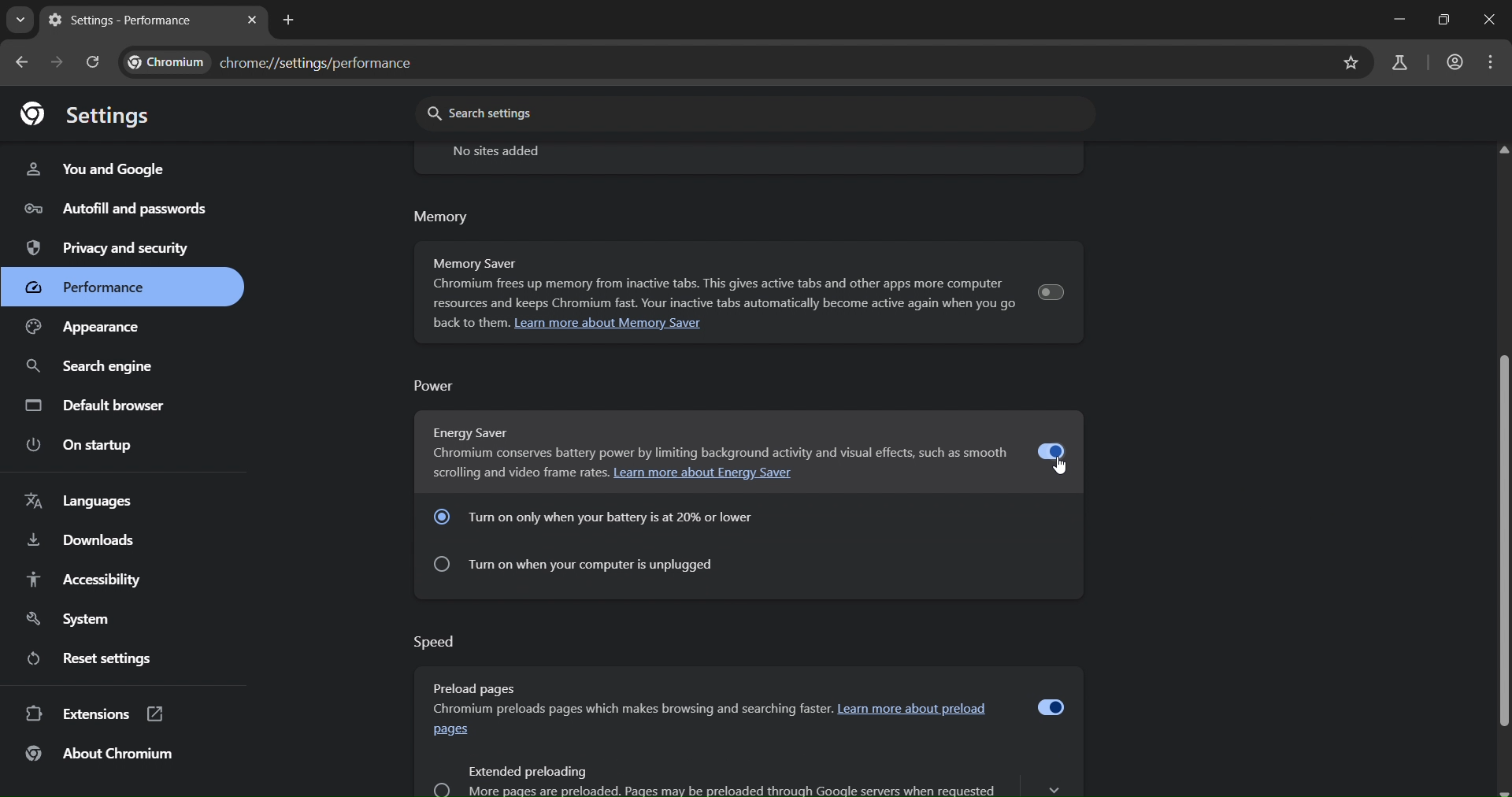 The width and height of the screenshot is (1512, 797). What do you see at coordinates (469, 324) in the screenshot?
I see `back to them` at bounding box center [469, 324].